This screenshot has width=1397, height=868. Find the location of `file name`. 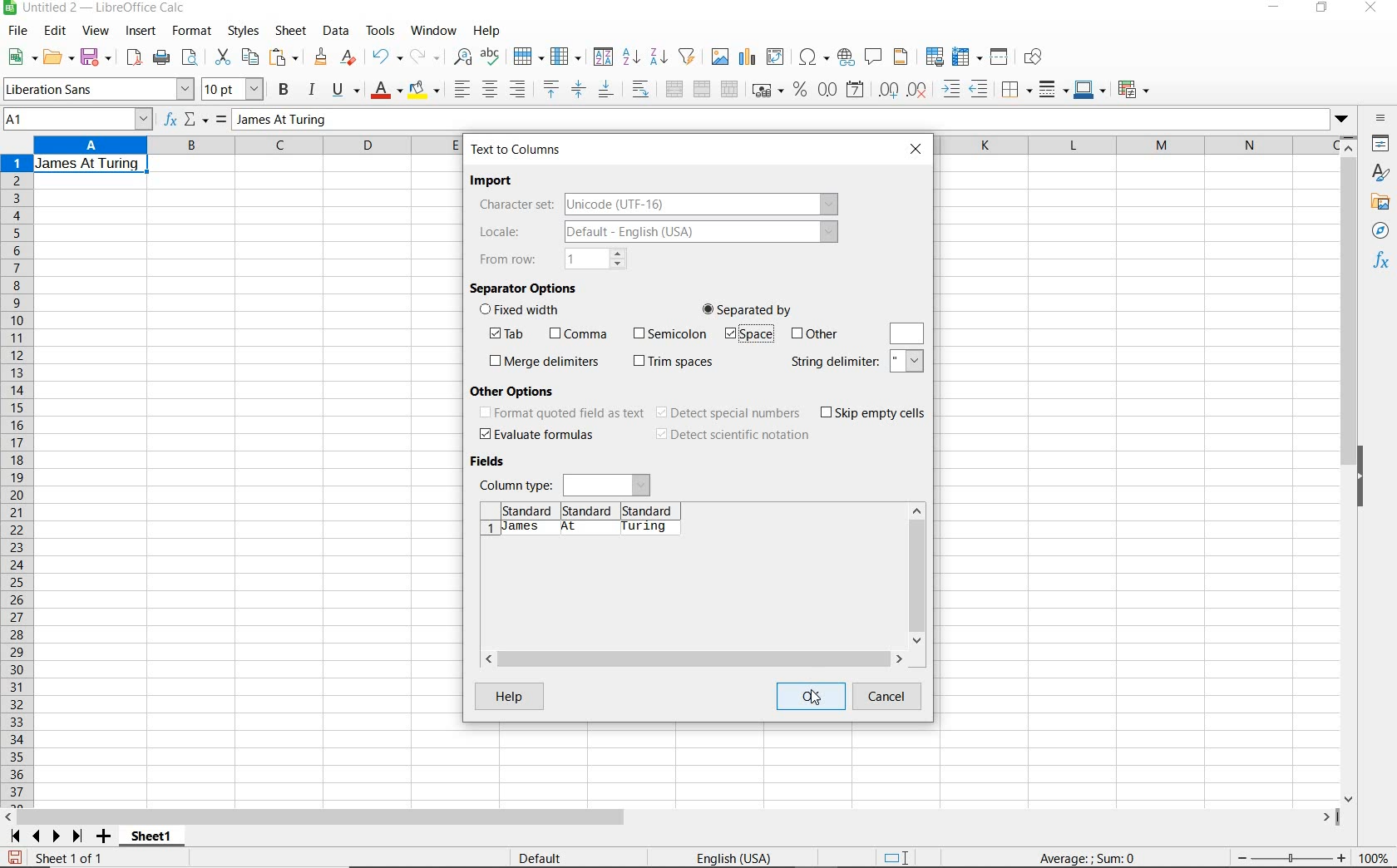

file name is located at coordinates (98, 8).